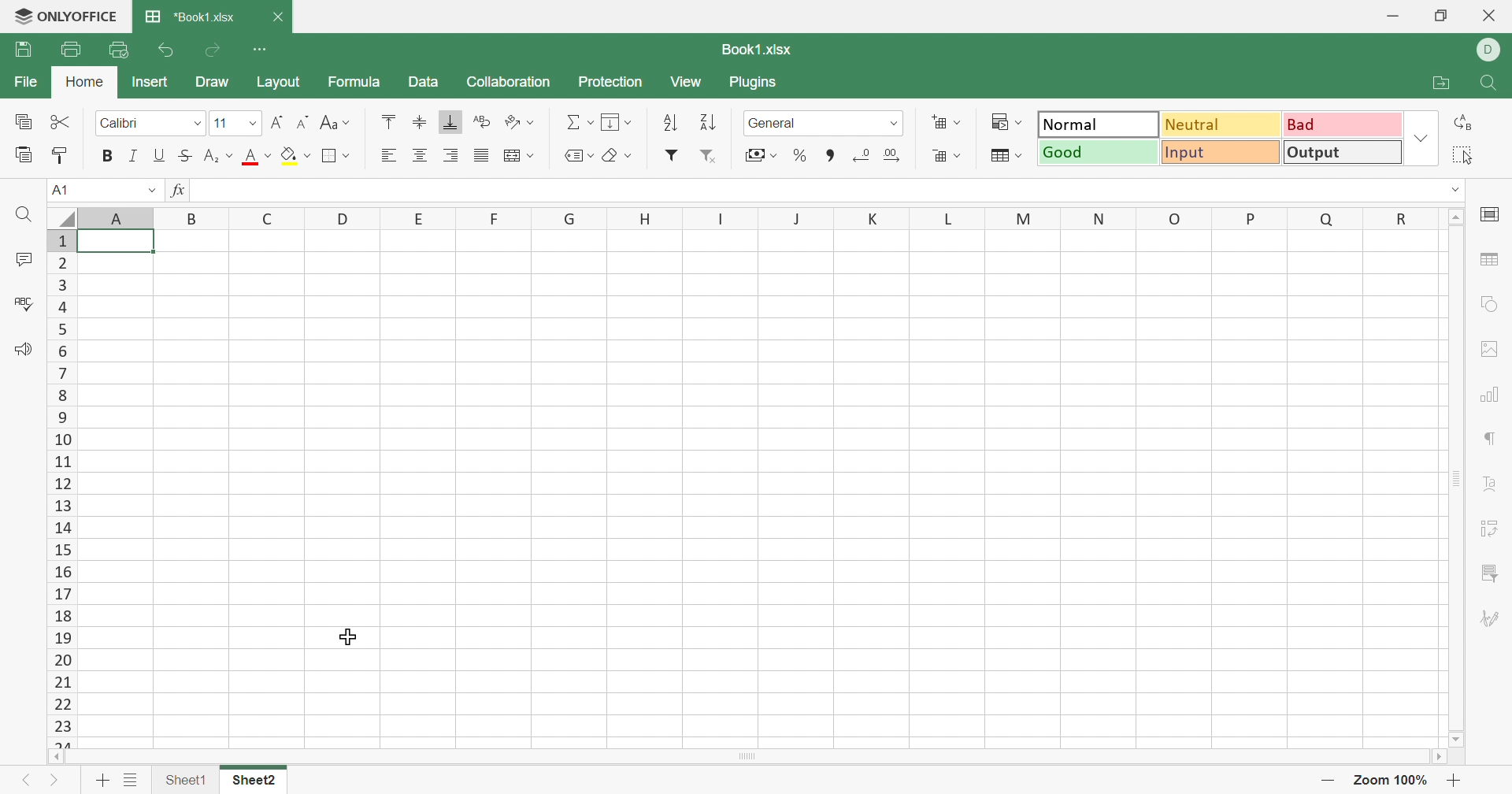 The image size is (1512, 794). Describe the element at coordinates (576, 122) in the screenshot. I see `Summation` at that location.